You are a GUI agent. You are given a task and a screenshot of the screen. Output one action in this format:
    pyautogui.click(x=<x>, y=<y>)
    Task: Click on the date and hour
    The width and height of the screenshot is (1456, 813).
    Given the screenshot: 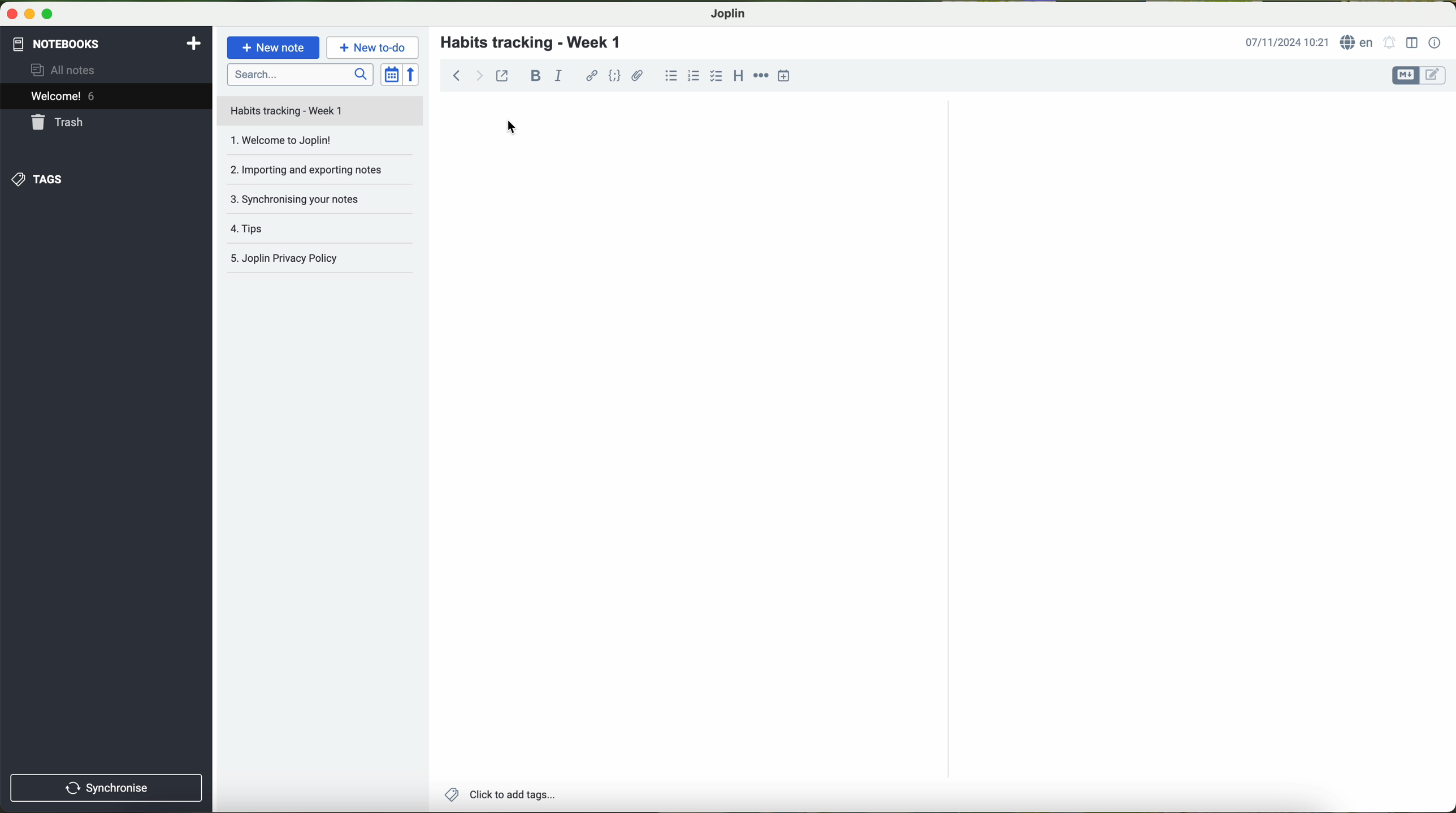 What is the action you would take?
    pyautogui.click(x=1287, y=41)
    